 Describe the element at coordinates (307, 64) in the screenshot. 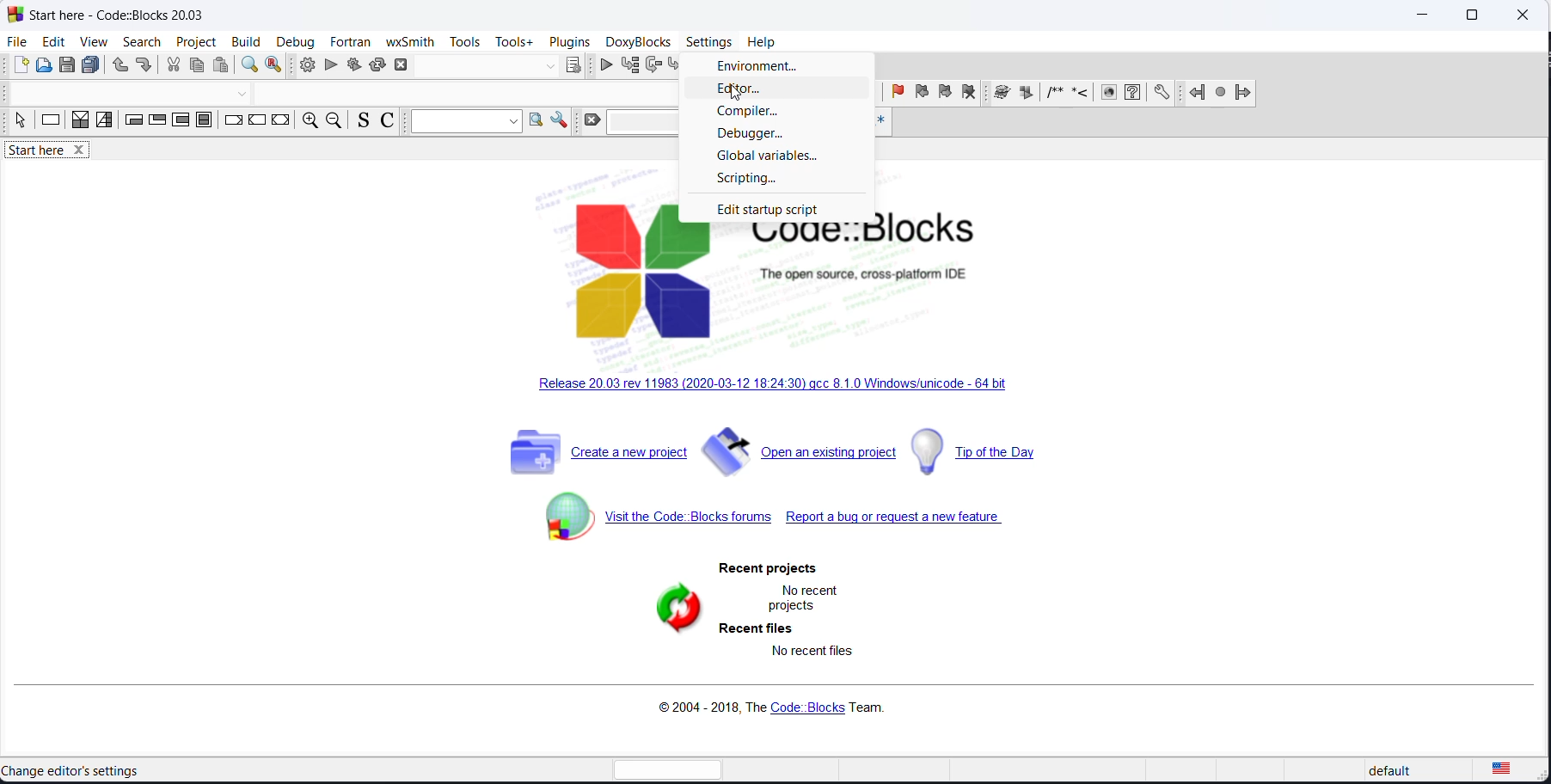

I see `build` at that location.